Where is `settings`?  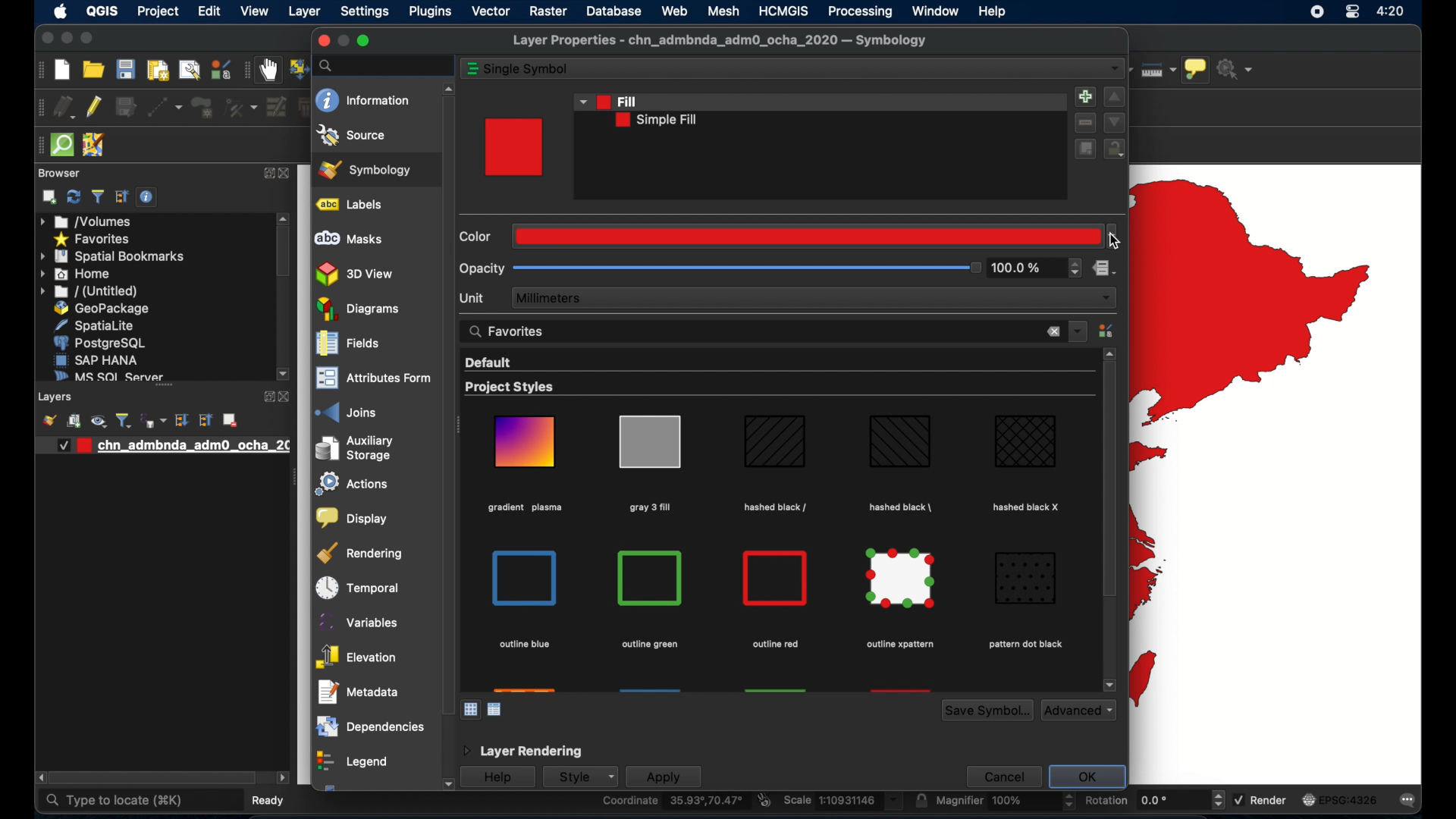
settings is located at coordinates (366, 12).